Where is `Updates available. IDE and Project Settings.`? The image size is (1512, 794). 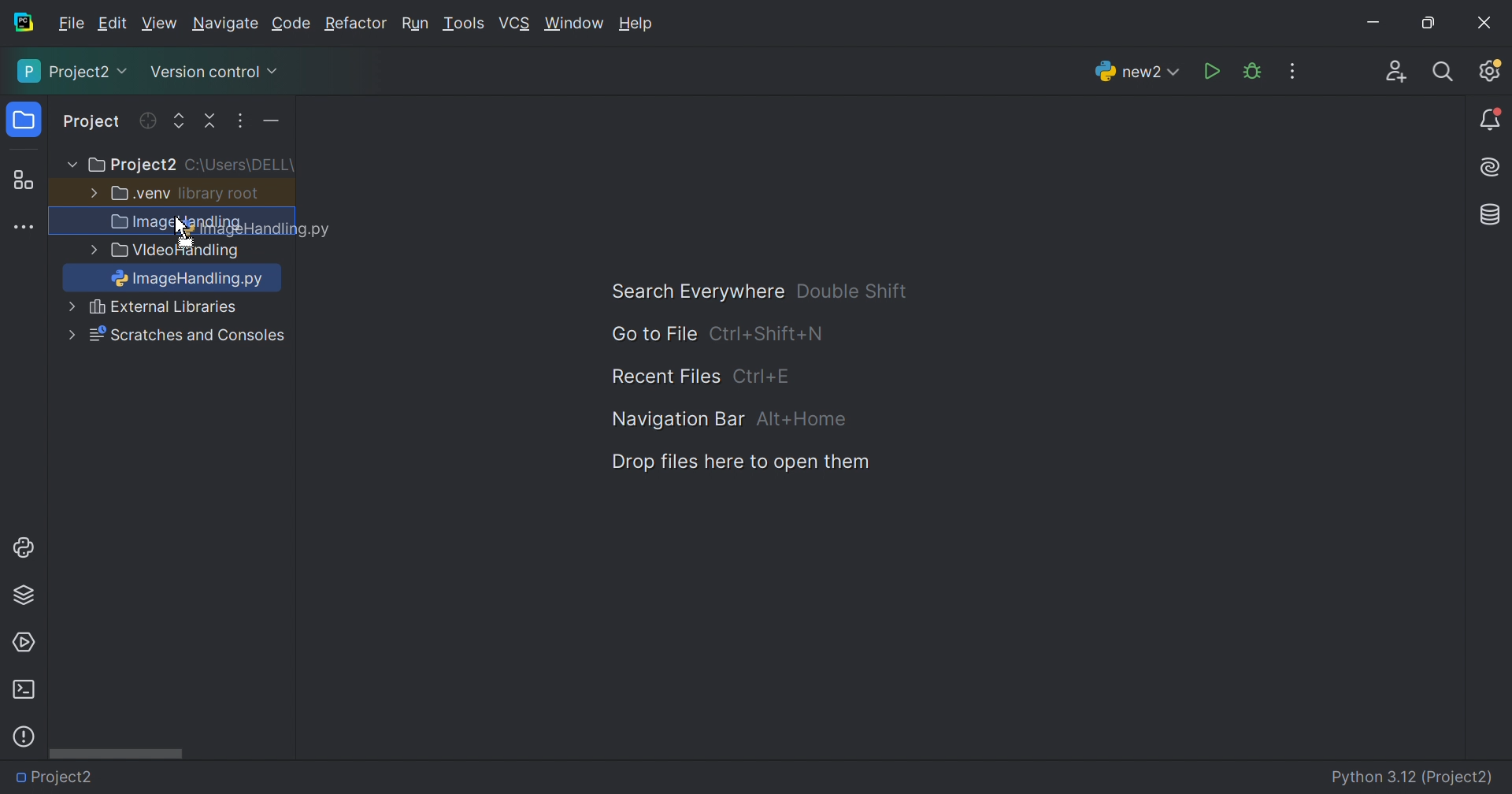
Updates available. IDE and Project Settings. is located at coordinates (1489, 70).